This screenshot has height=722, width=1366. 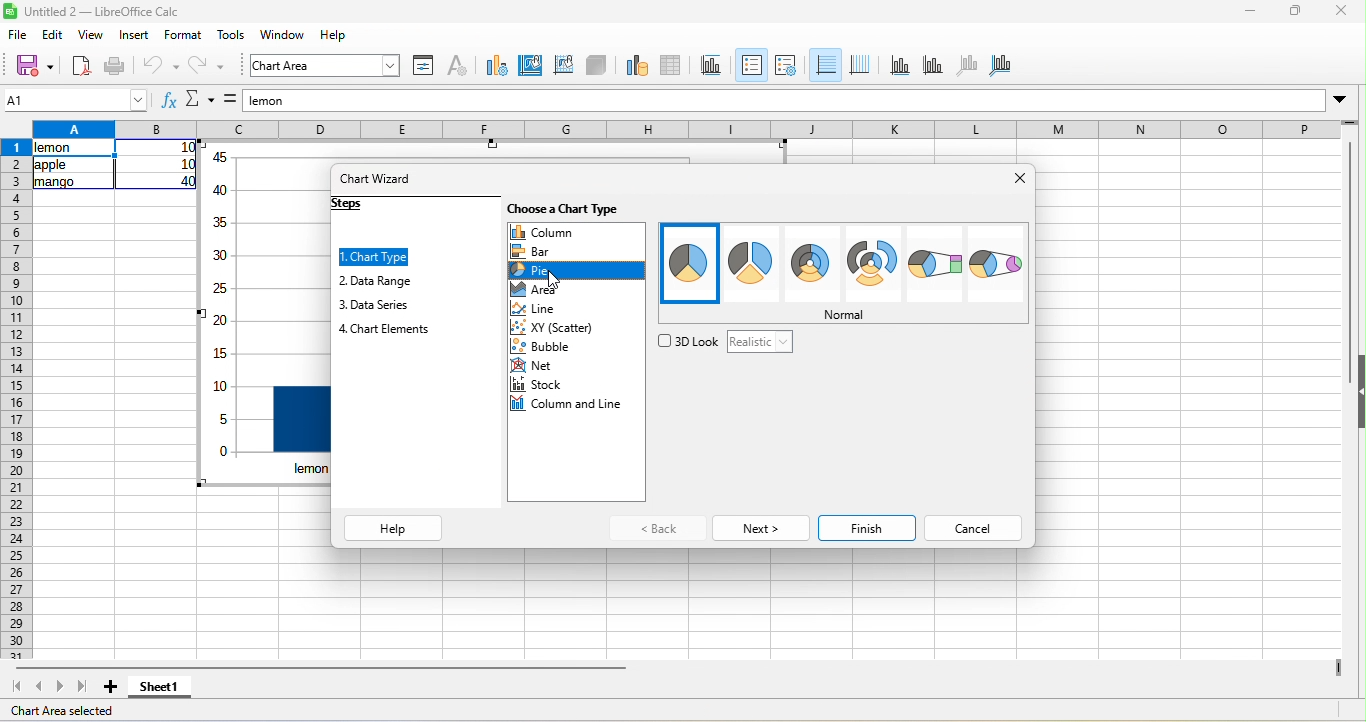 What do you see at coordinates (555, 310) in the screenshot?
I see `line` at bounding box center [555, 310].